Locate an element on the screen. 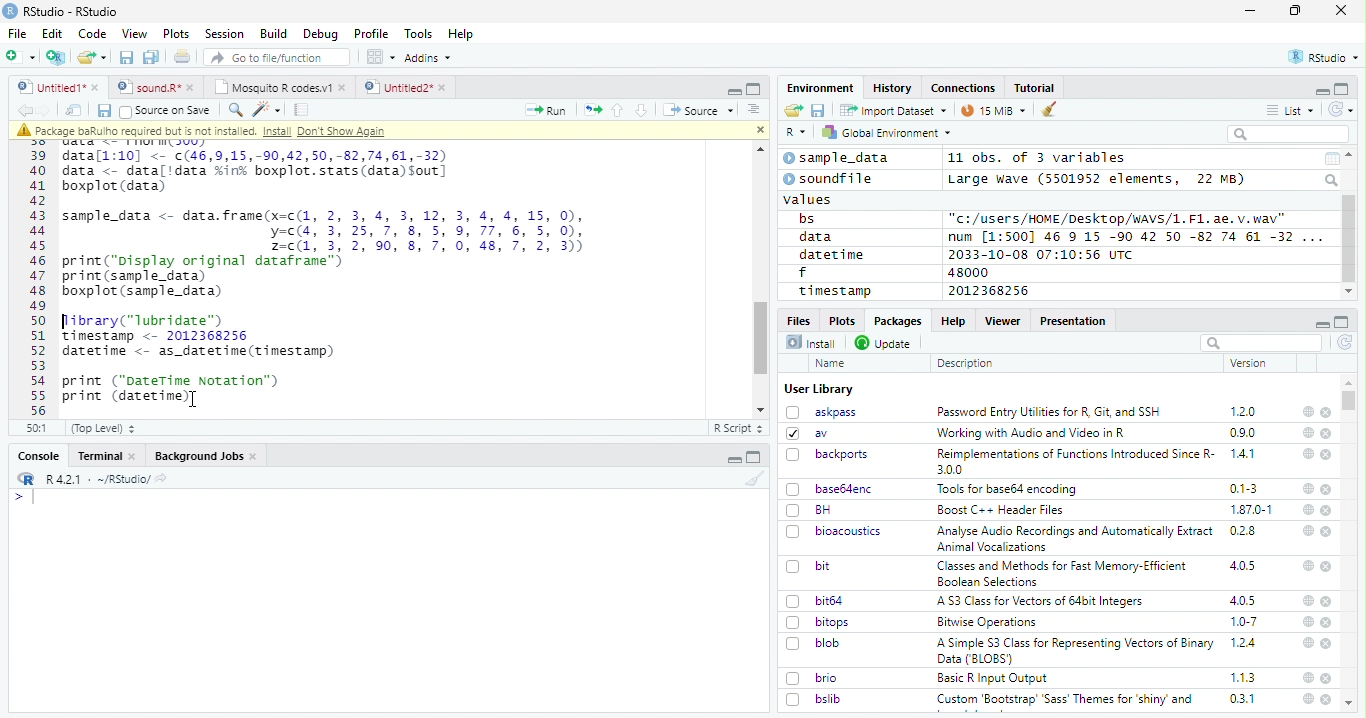 The width and height of the screenshot is (1366, 718). "c:/users/HOME /Desktop/wWAVS/1.F1, ae. v.wav" is located at coordinates (1119, 217).